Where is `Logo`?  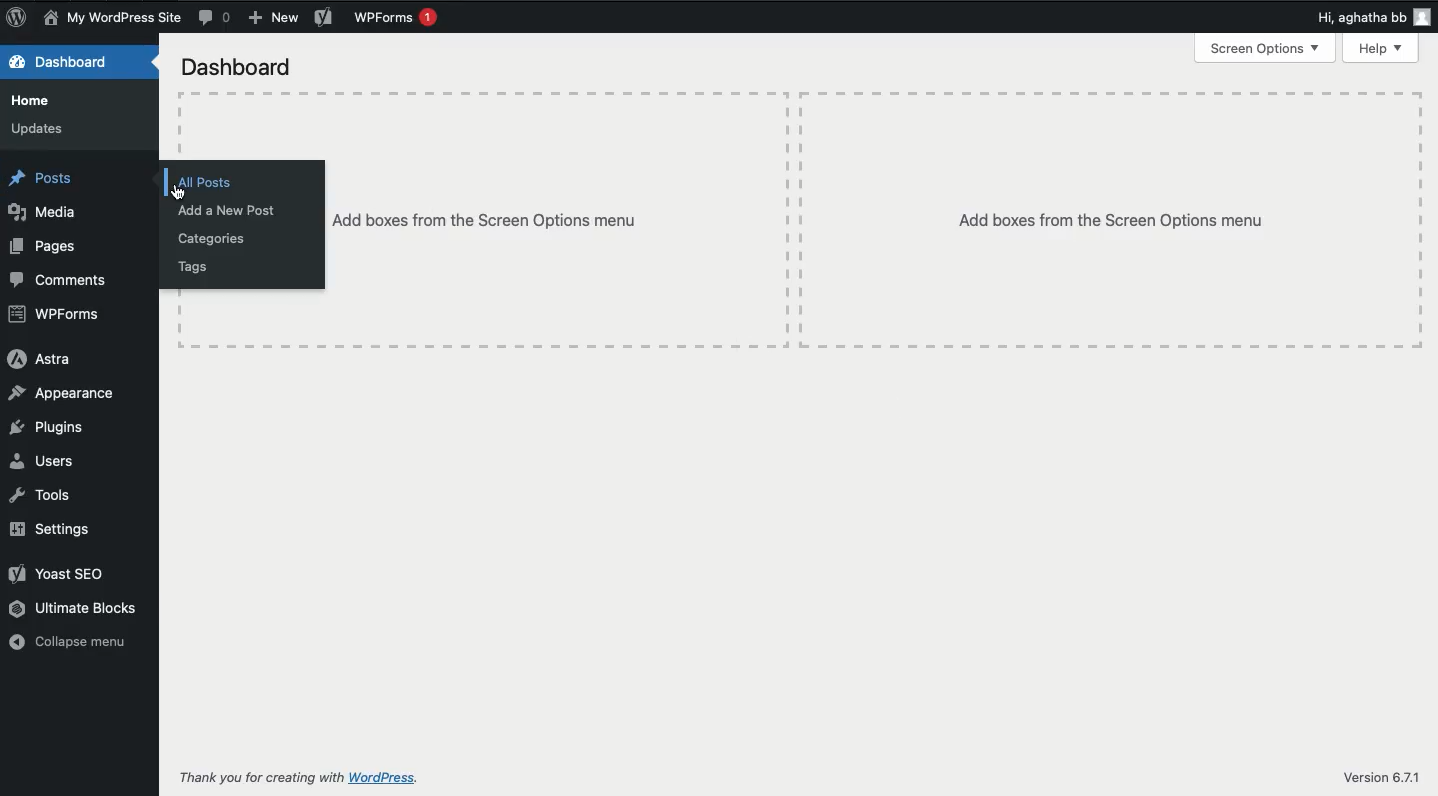
Logo is located at coordinates (16, 16).